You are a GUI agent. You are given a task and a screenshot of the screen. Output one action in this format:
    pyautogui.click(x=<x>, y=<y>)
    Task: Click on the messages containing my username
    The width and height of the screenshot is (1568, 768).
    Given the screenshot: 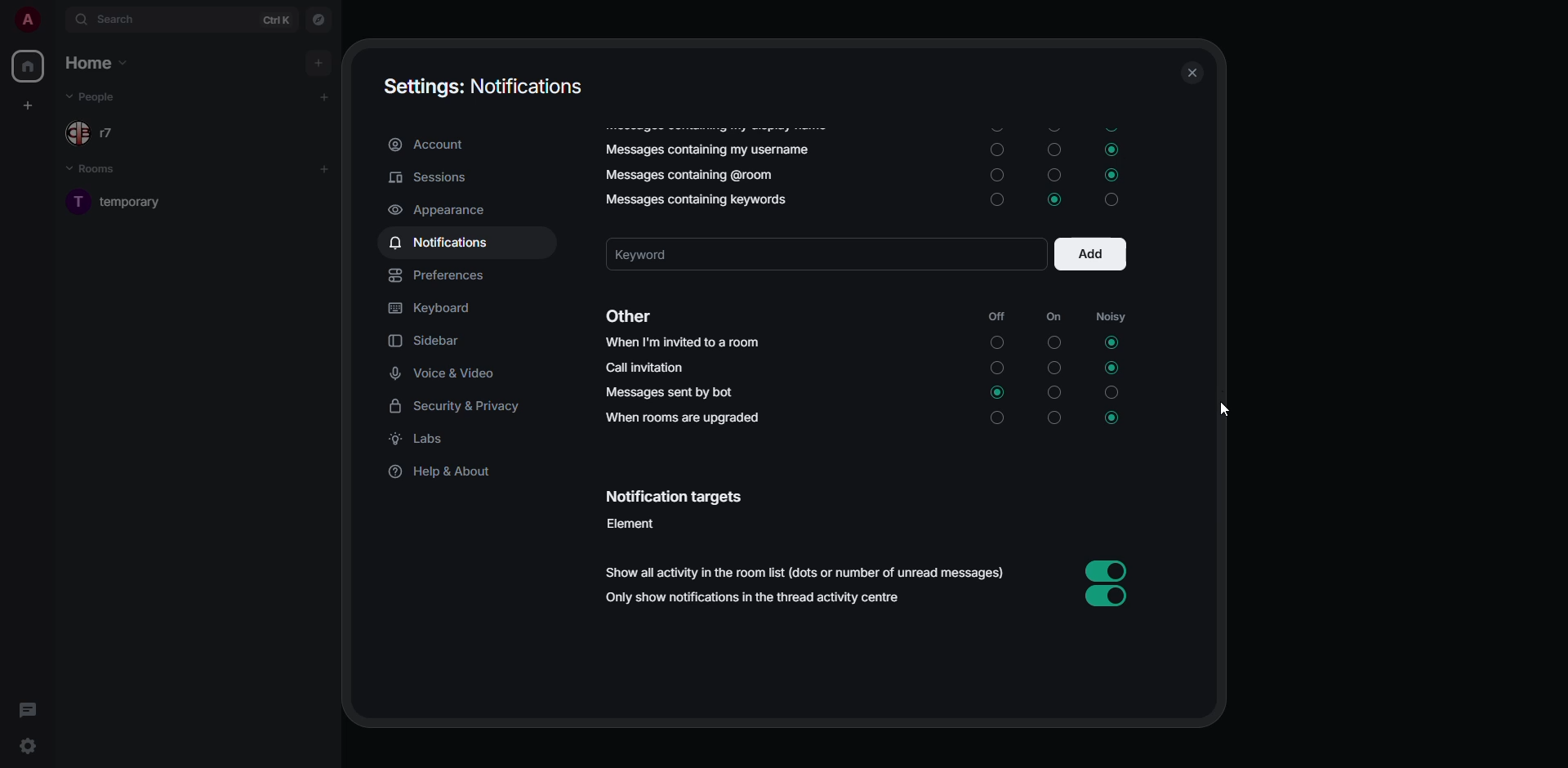 What is the action you would take?
    pyautogui.click(x=710, y=150)
    